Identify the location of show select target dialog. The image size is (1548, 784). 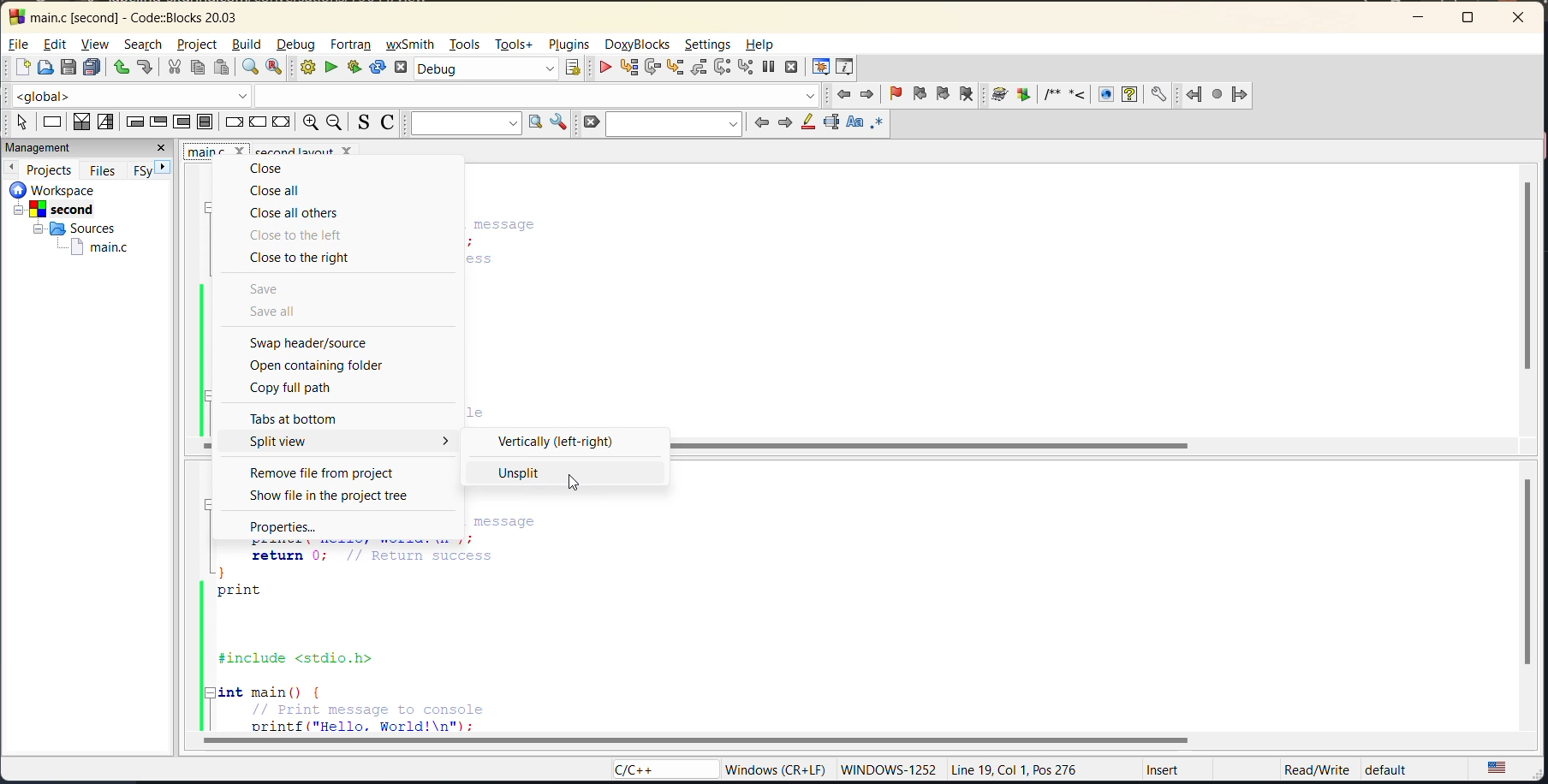
(568, 68).